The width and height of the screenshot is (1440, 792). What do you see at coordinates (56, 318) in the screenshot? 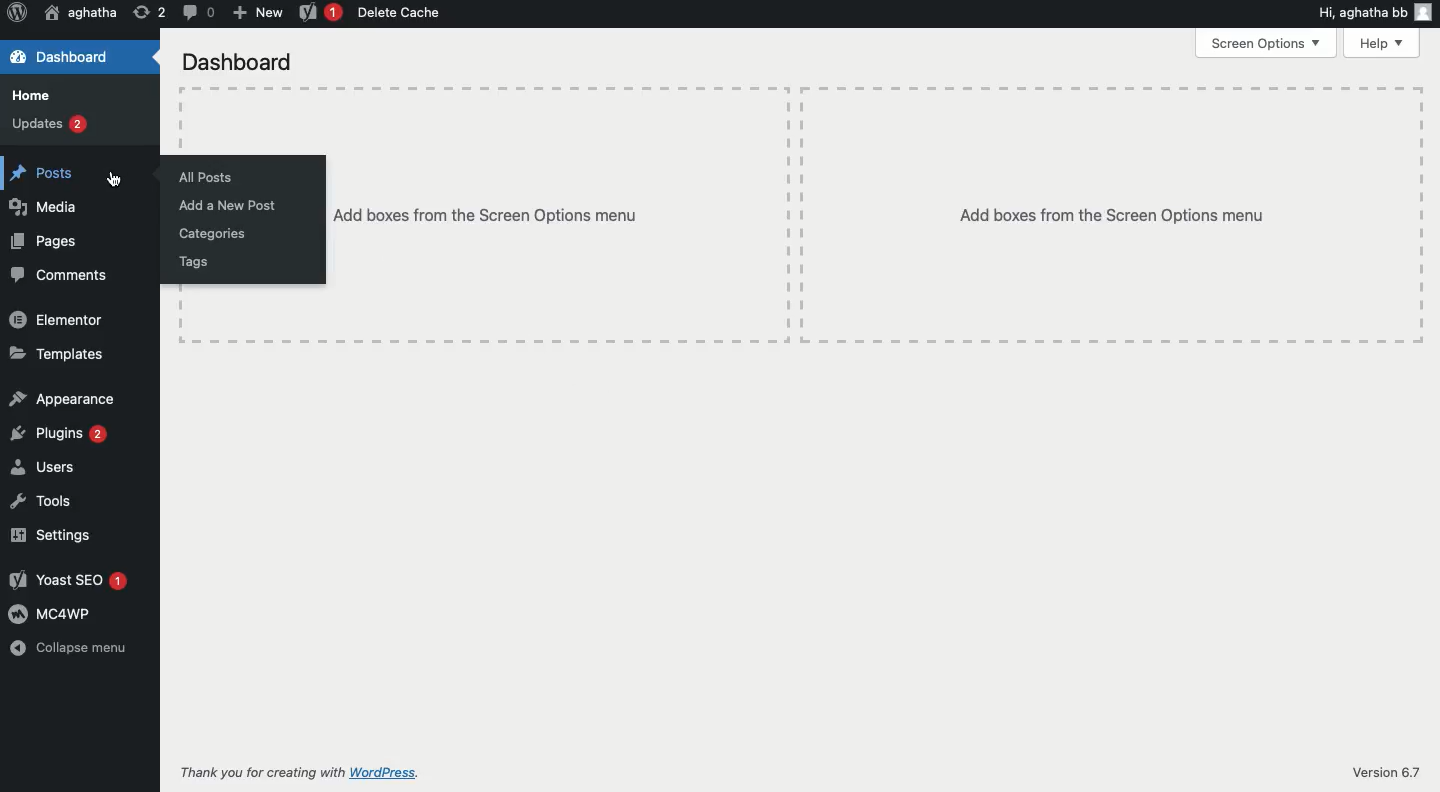
I see `Elementor` at bounding box center [56, 318].